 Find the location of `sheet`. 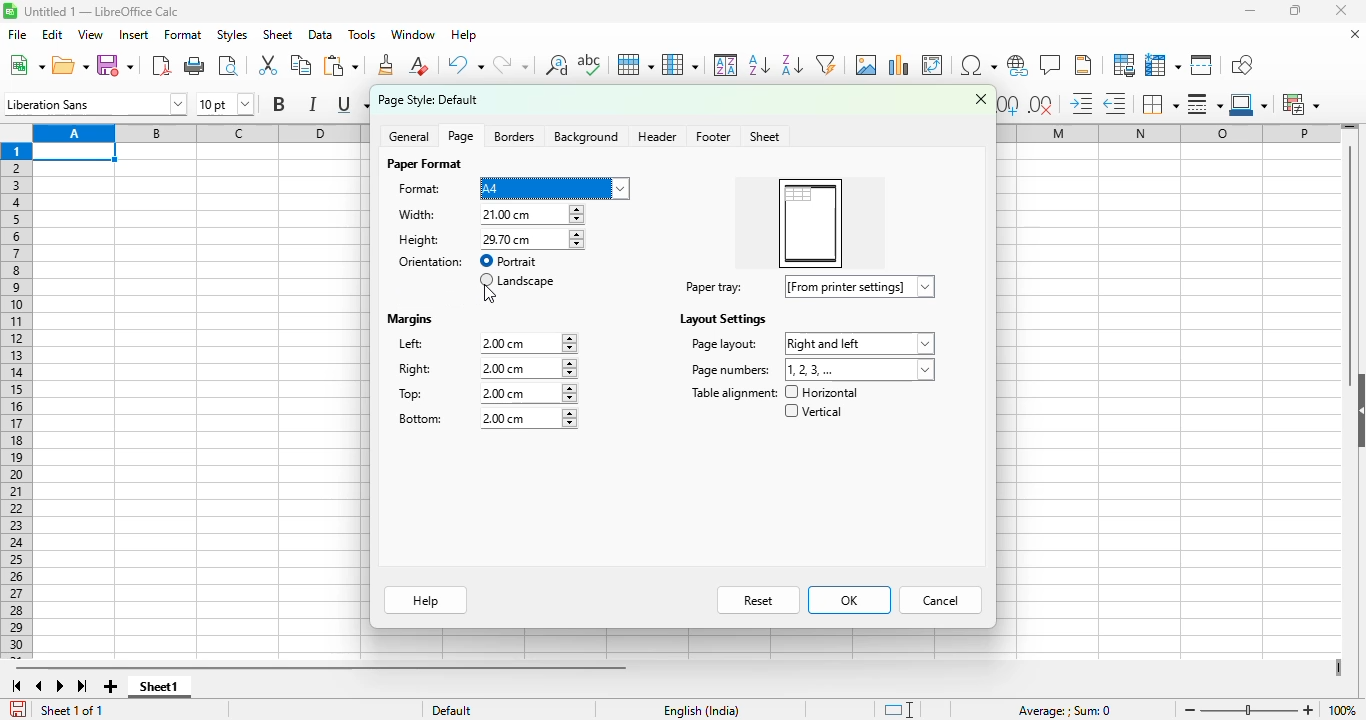

sheet is located at coordinates (277, 35).